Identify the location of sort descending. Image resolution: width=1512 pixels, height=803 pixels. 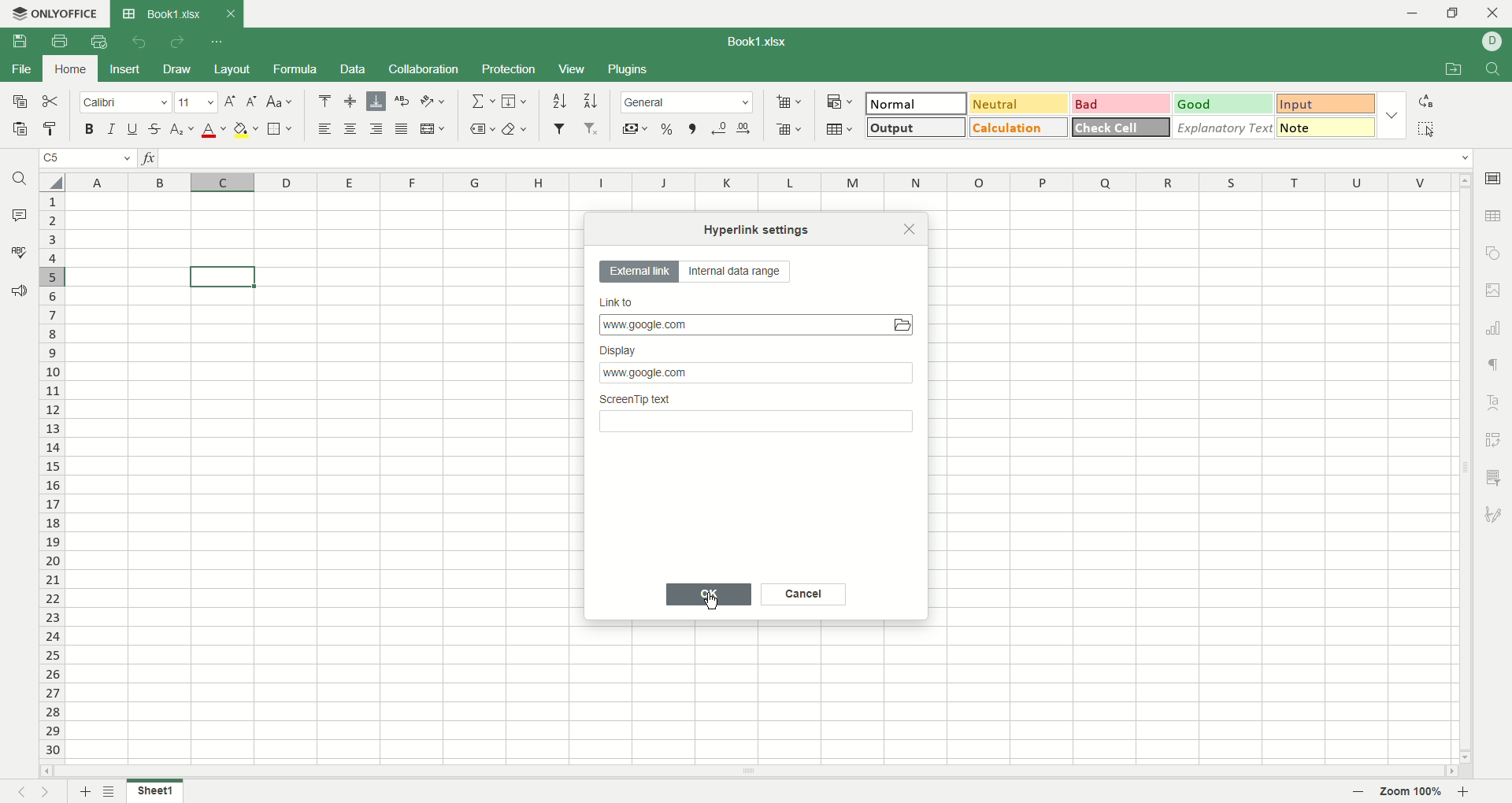
(591, 101).